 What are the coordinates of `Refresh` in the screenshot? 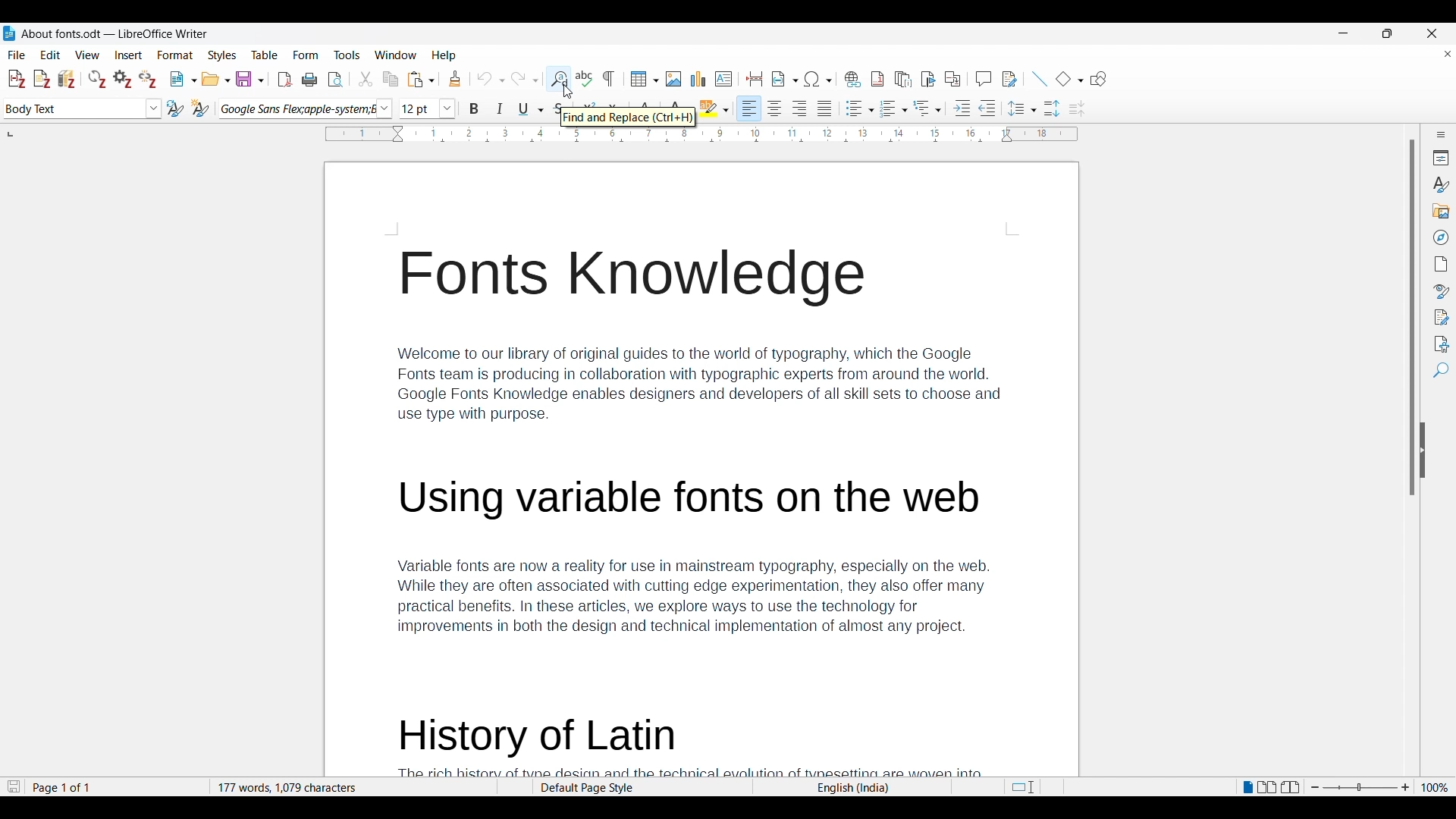 It's located at (97, 79).